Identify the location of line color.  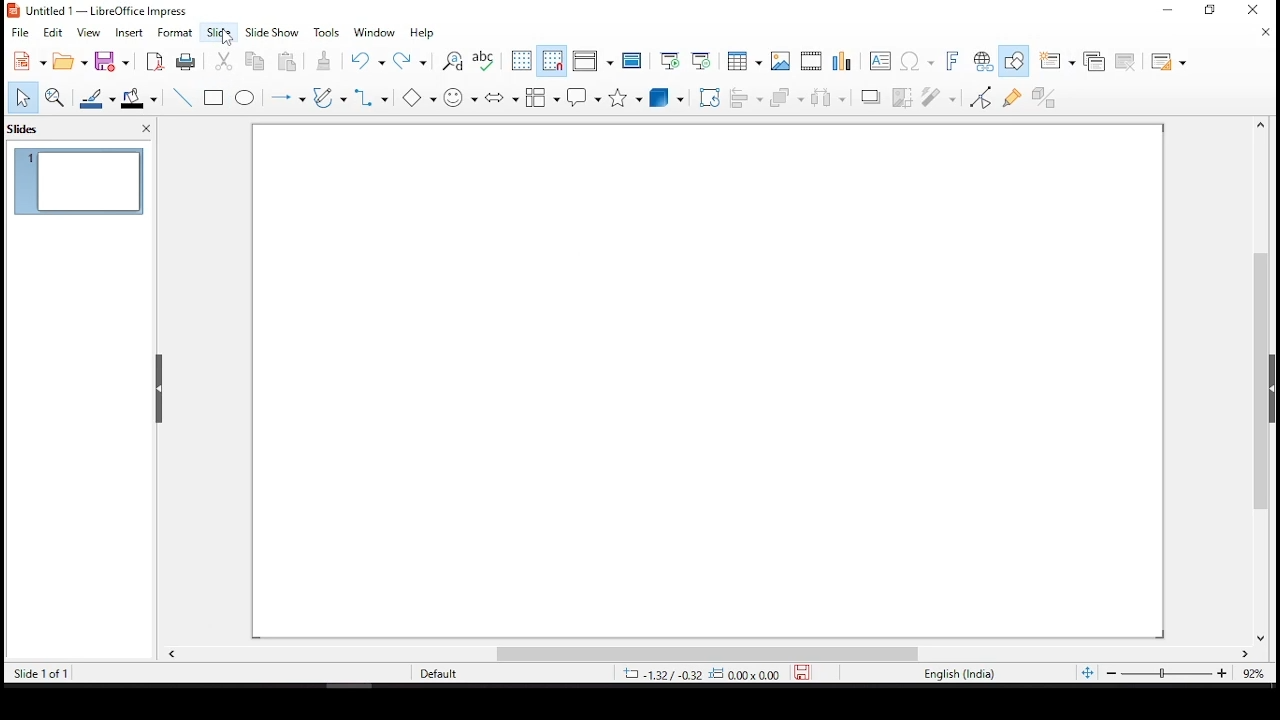
(95, 97).